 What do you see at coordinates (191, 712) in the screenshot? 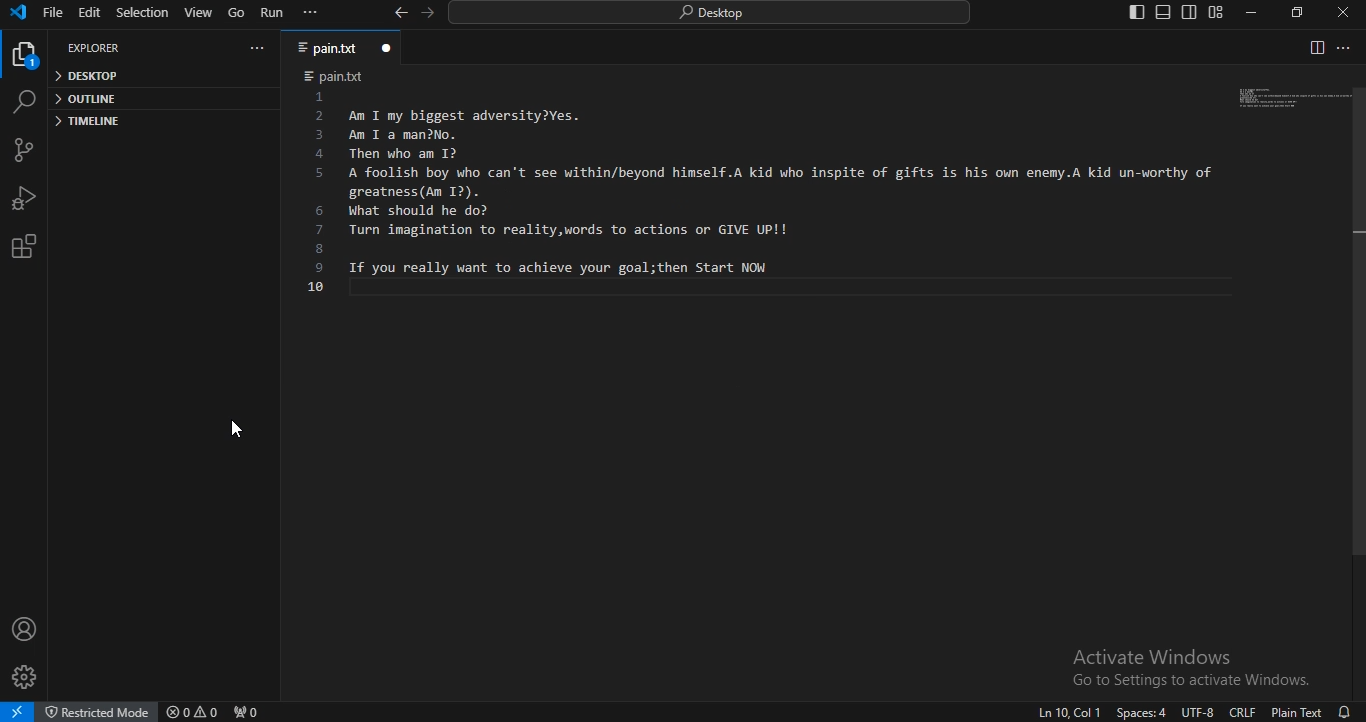
I see `no problems` at bounding box center [191, 712].